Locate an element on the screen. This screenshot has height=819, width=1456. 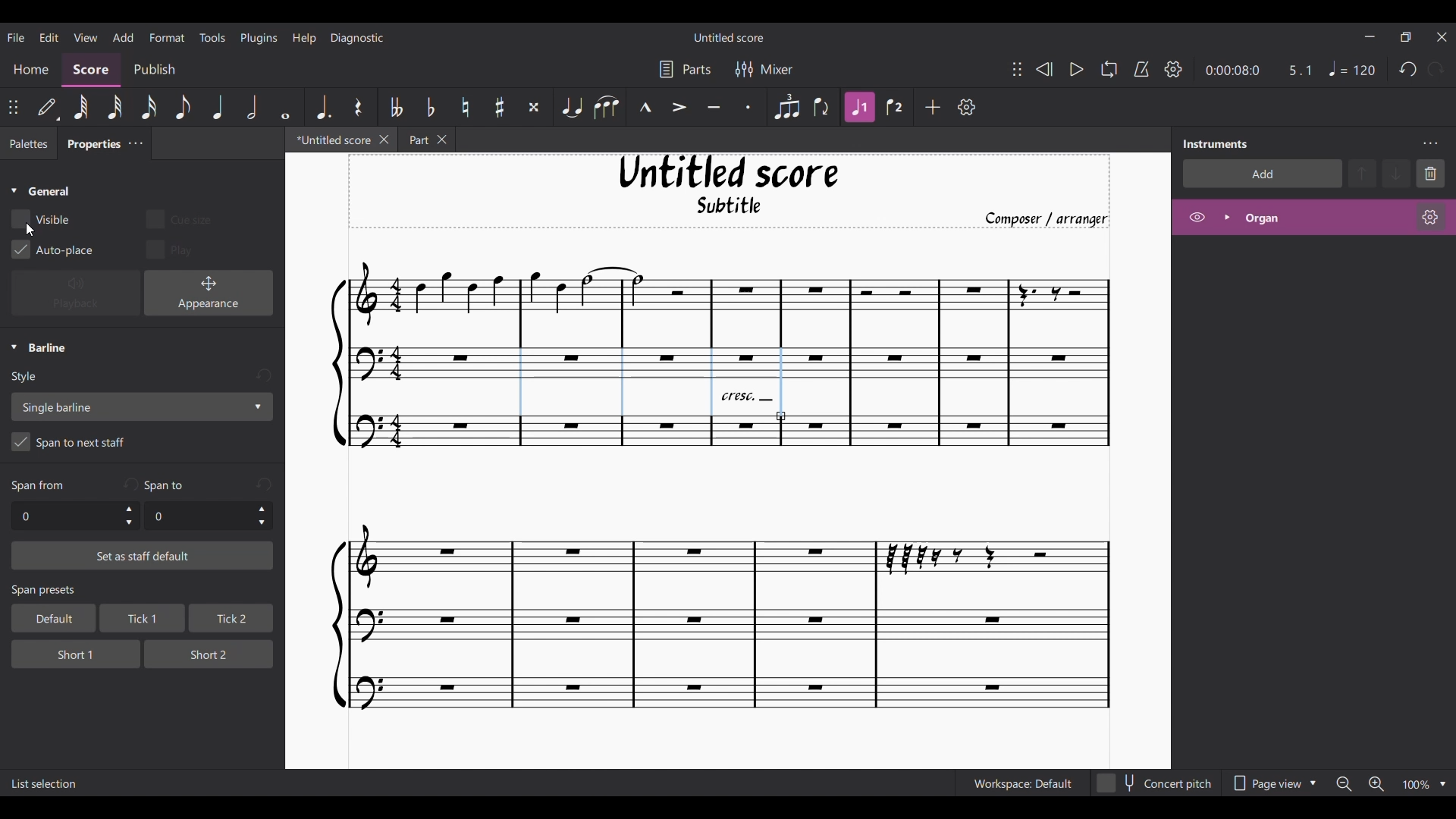
Page view options is located at coordinates (1271, 783).